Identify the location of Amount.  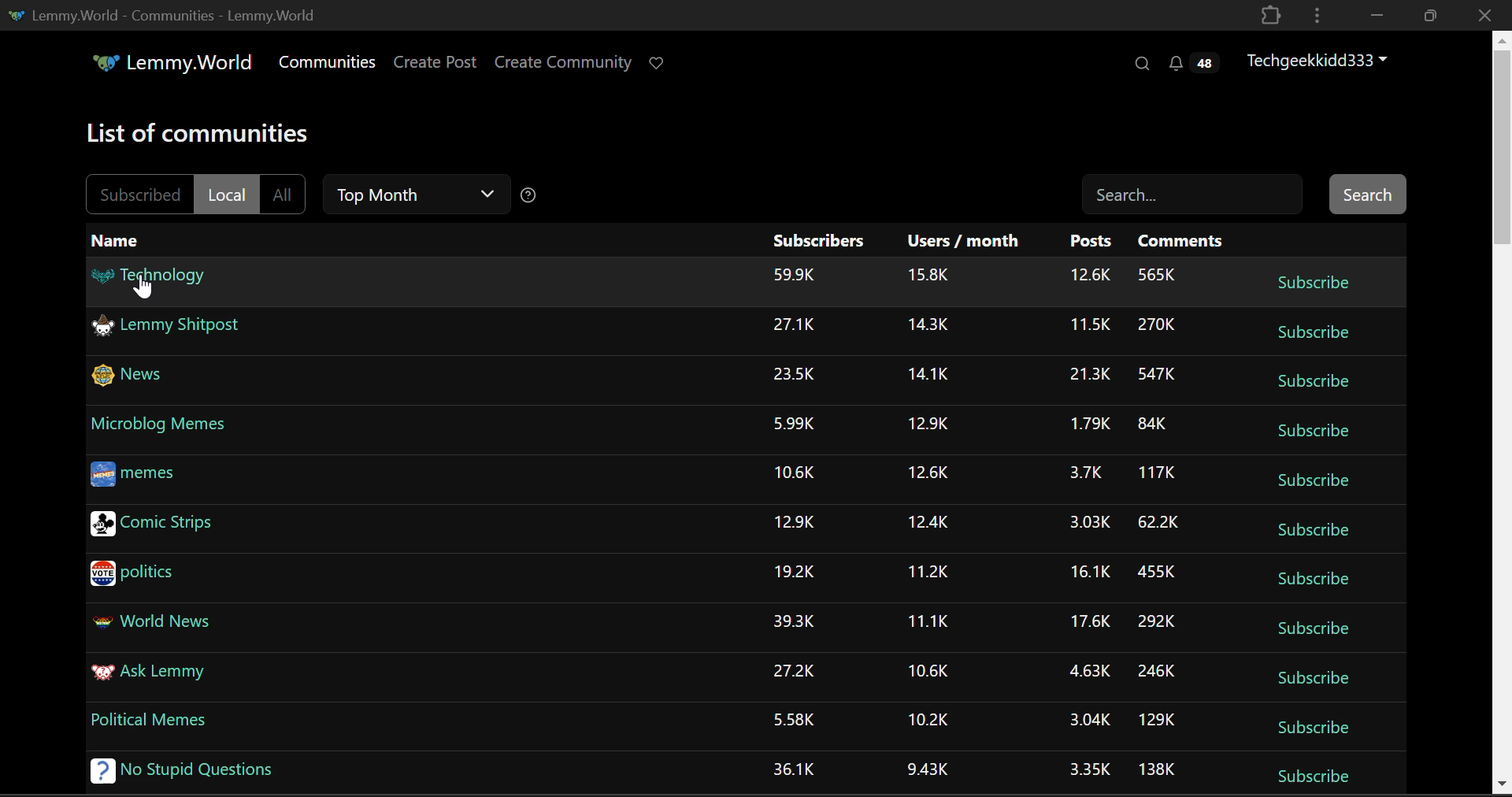
(1158, 274).